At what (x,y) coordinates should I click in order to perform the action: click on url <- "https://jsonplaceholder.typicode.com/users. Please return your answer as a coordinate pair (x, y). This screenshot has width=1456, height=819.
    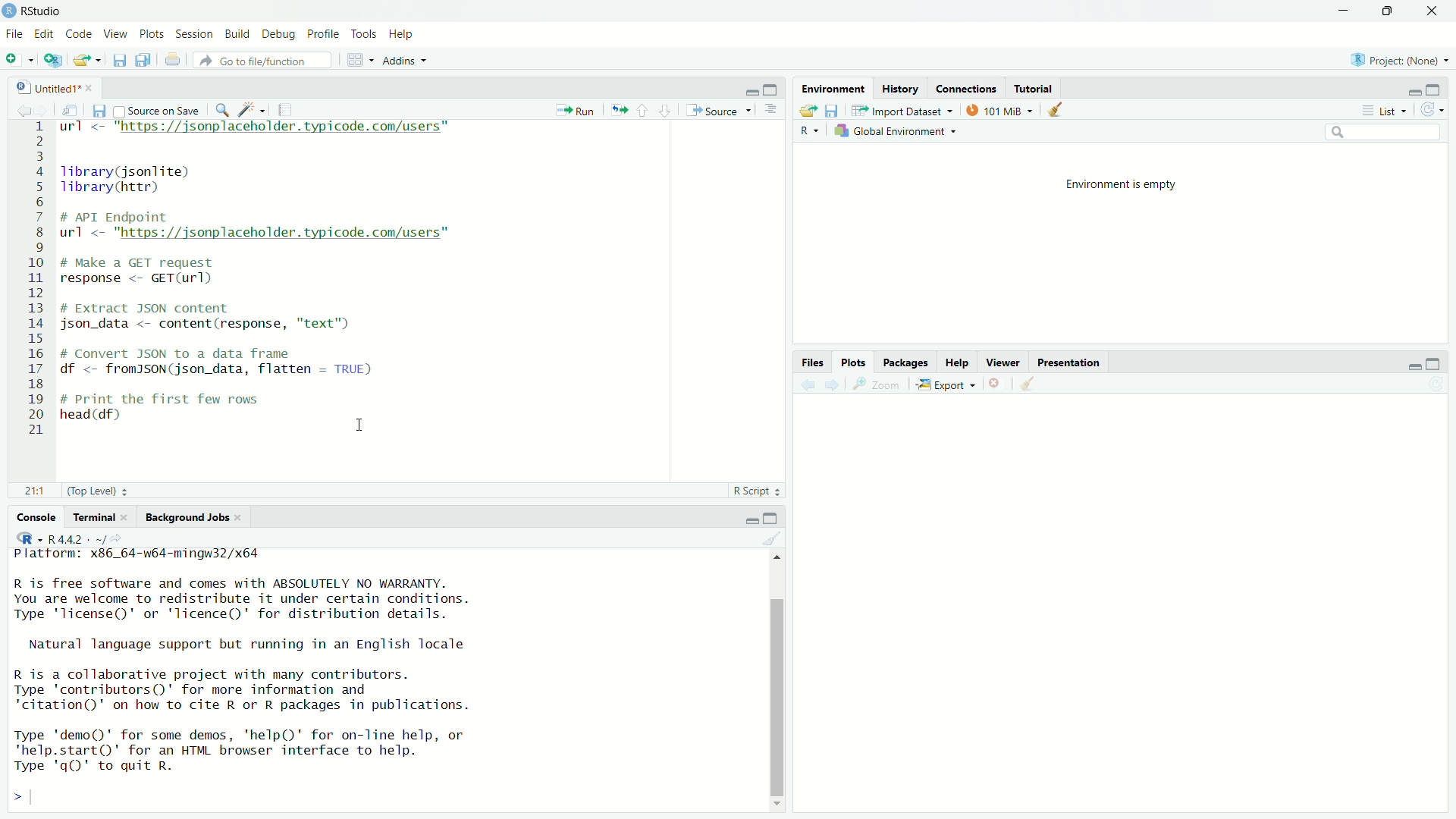
    Looking at the image, I should click on (259, 130).